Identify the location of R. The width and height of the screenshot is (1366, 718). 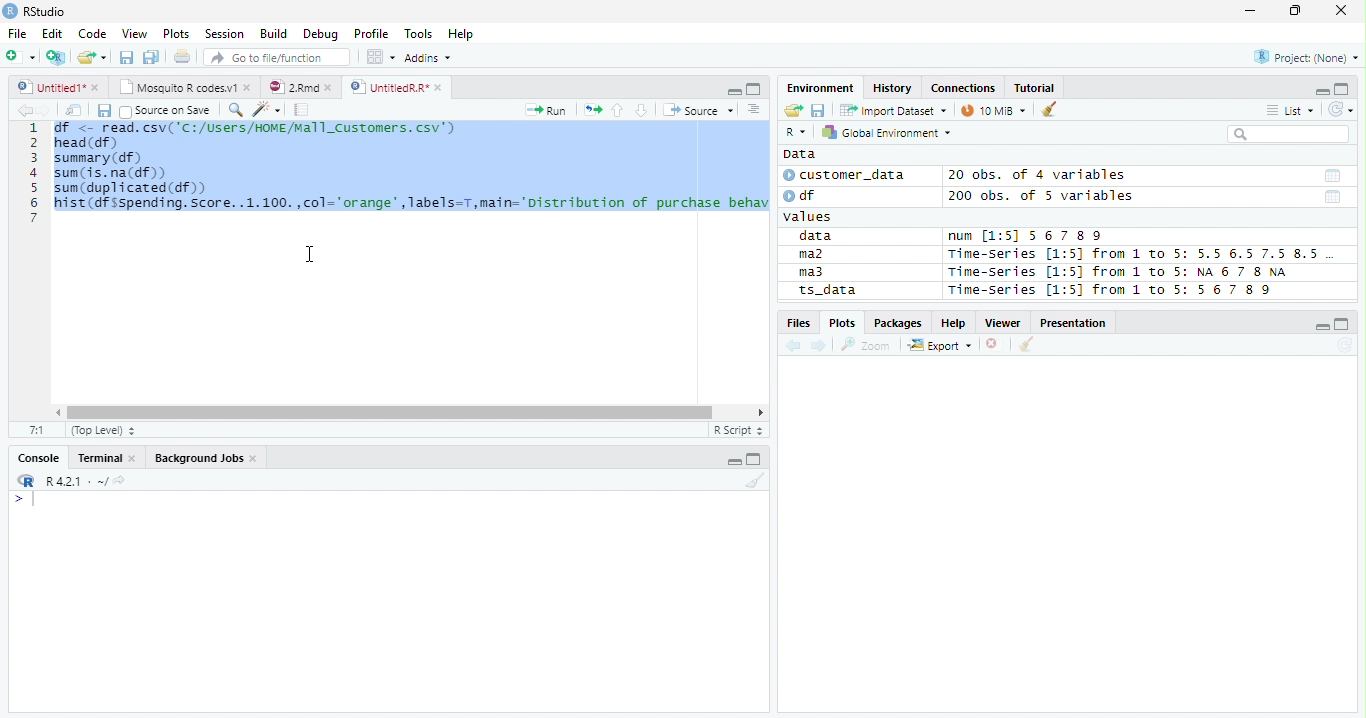
(795, 133).